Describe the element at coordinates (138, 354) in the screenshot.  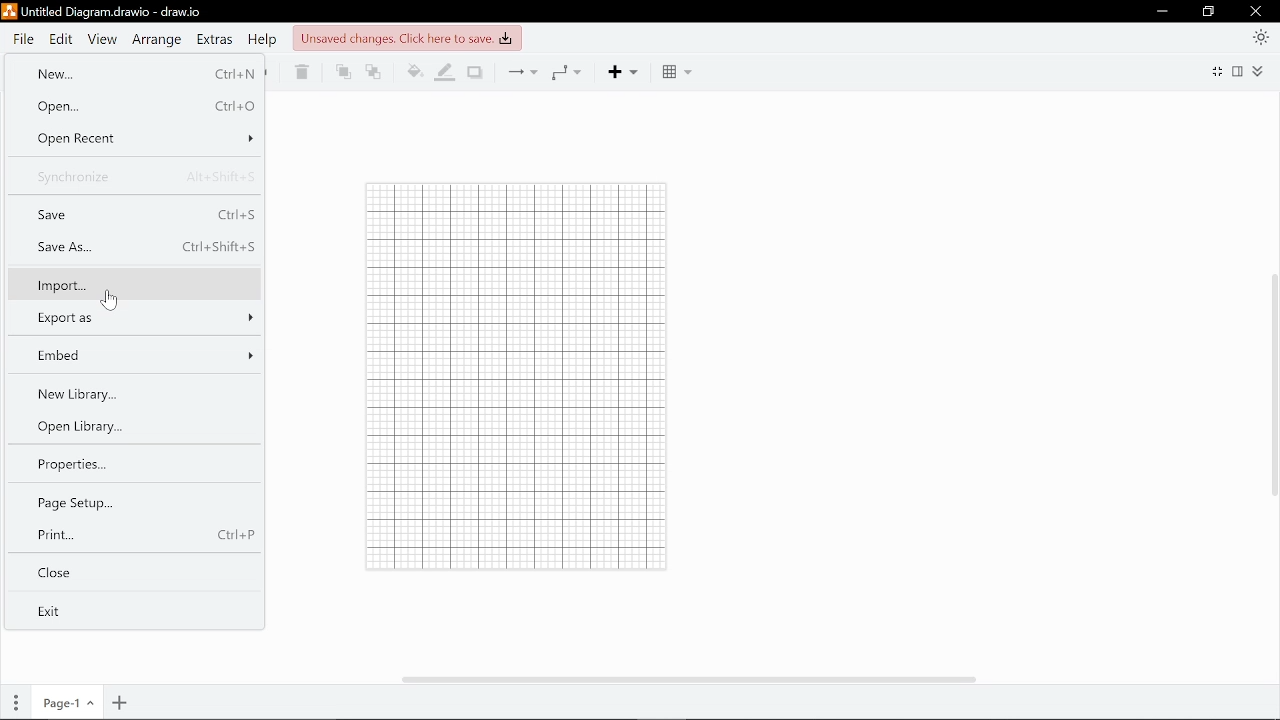
I see `Embed` at that location.